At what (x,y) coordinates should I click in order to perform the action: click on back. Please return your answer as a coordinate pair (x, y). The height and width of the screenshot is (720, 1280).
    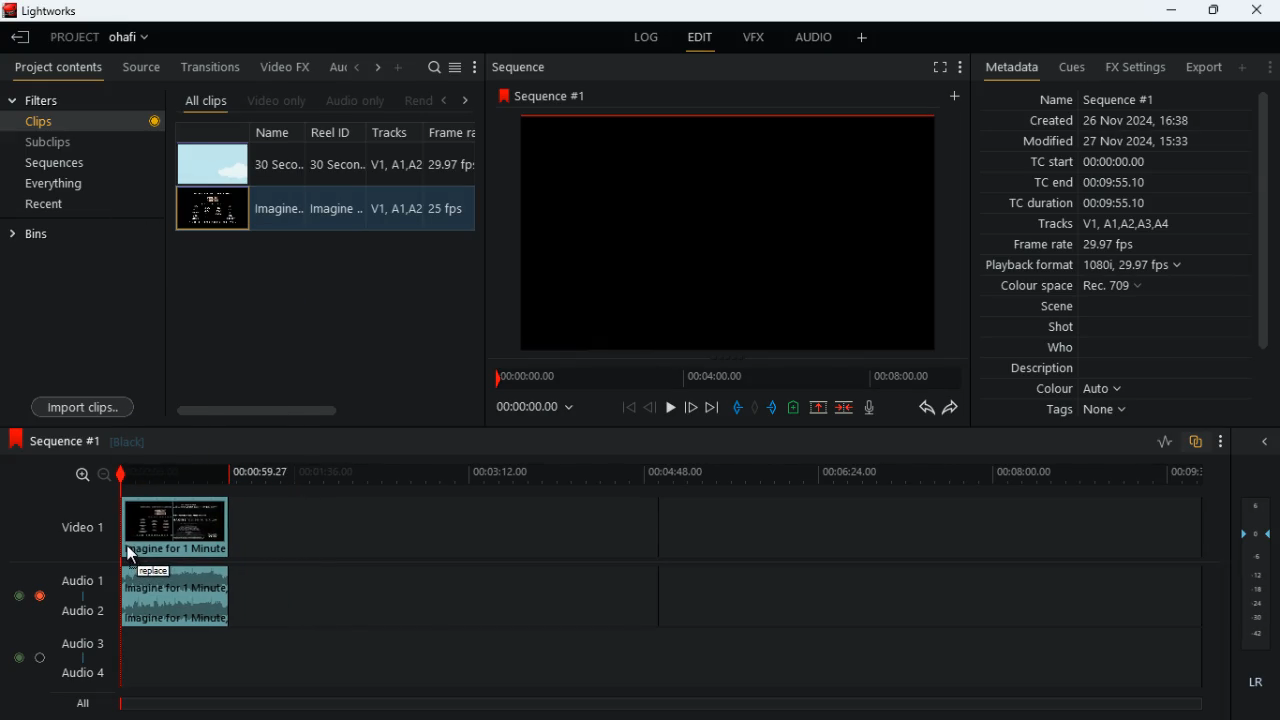
    Looking at the image, I should click on (651, 408).